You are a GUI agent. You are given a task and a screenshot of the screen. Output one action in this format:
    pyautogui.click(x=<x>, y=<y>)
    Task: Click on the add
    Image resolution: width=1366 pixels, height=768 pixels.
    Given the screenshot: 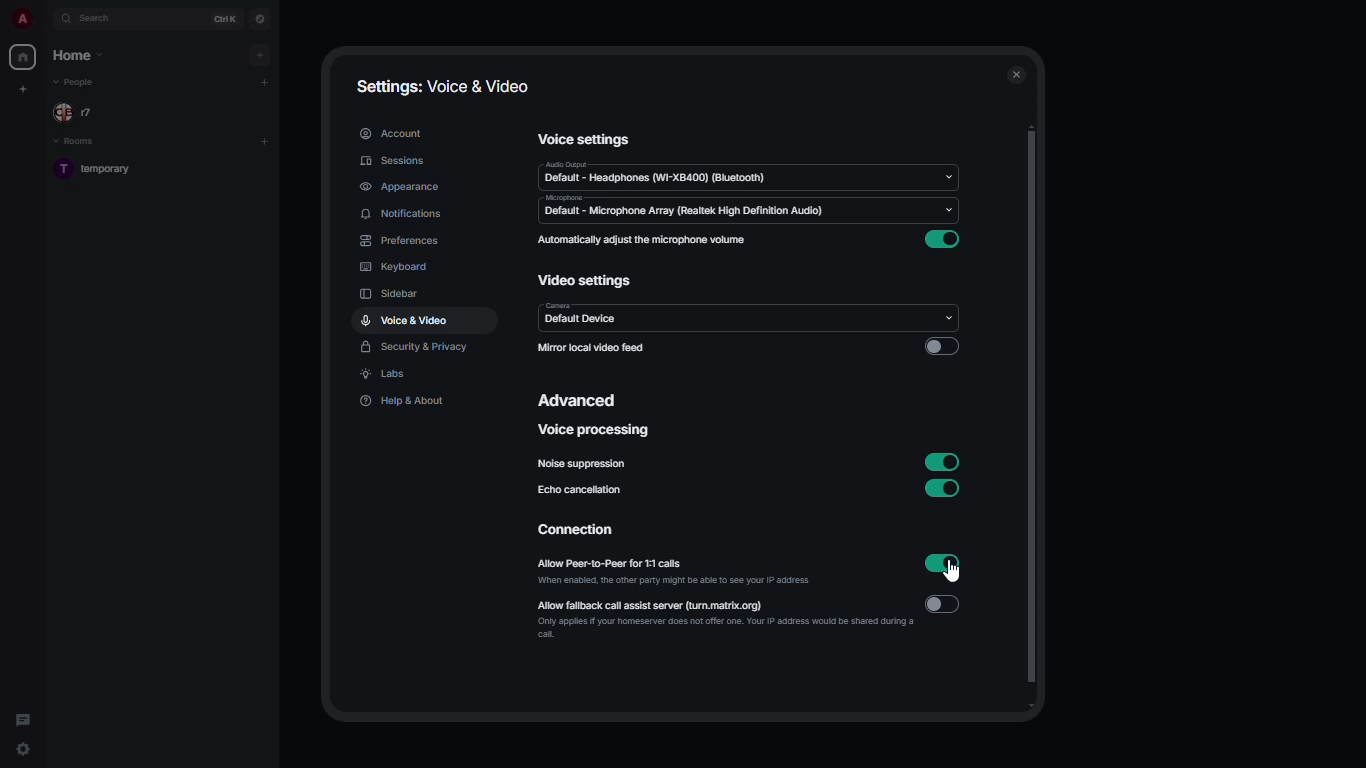 What is the action you would take?
    pyautogui.click(x=261, y=53)
    